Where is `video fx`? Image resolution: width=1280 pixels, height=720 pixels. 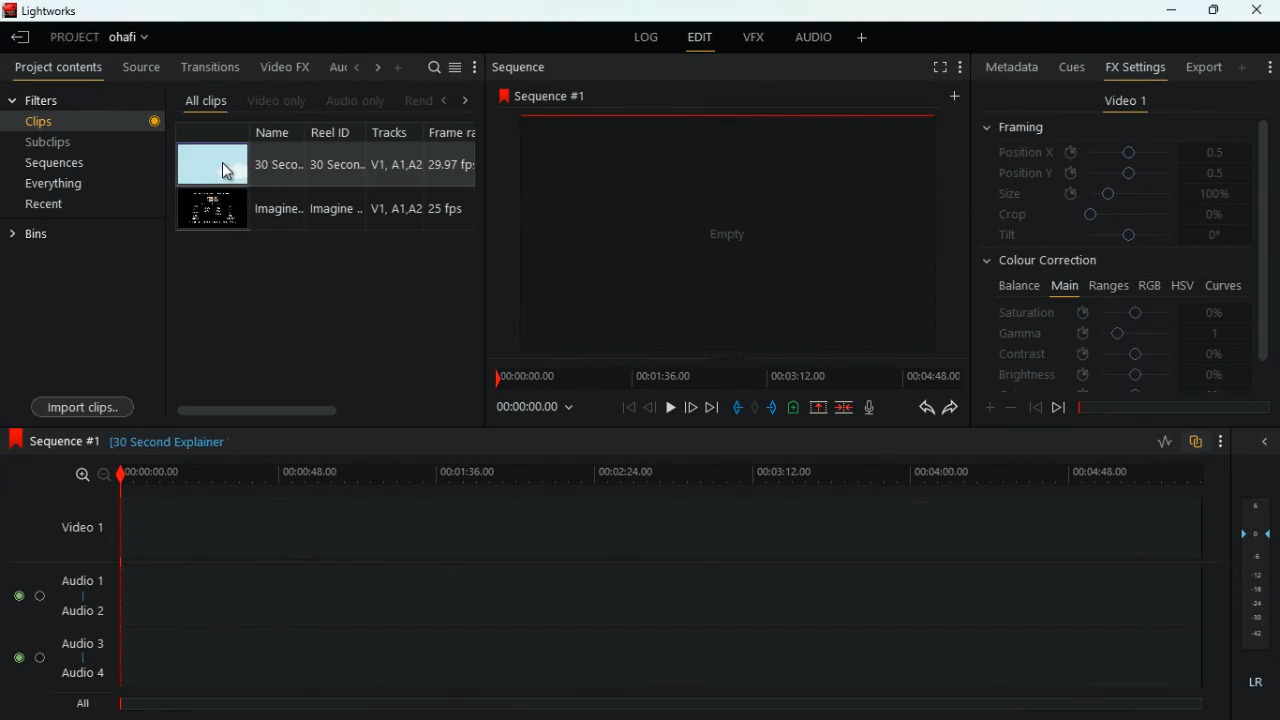 video fx is located at coordinates (283, 67).